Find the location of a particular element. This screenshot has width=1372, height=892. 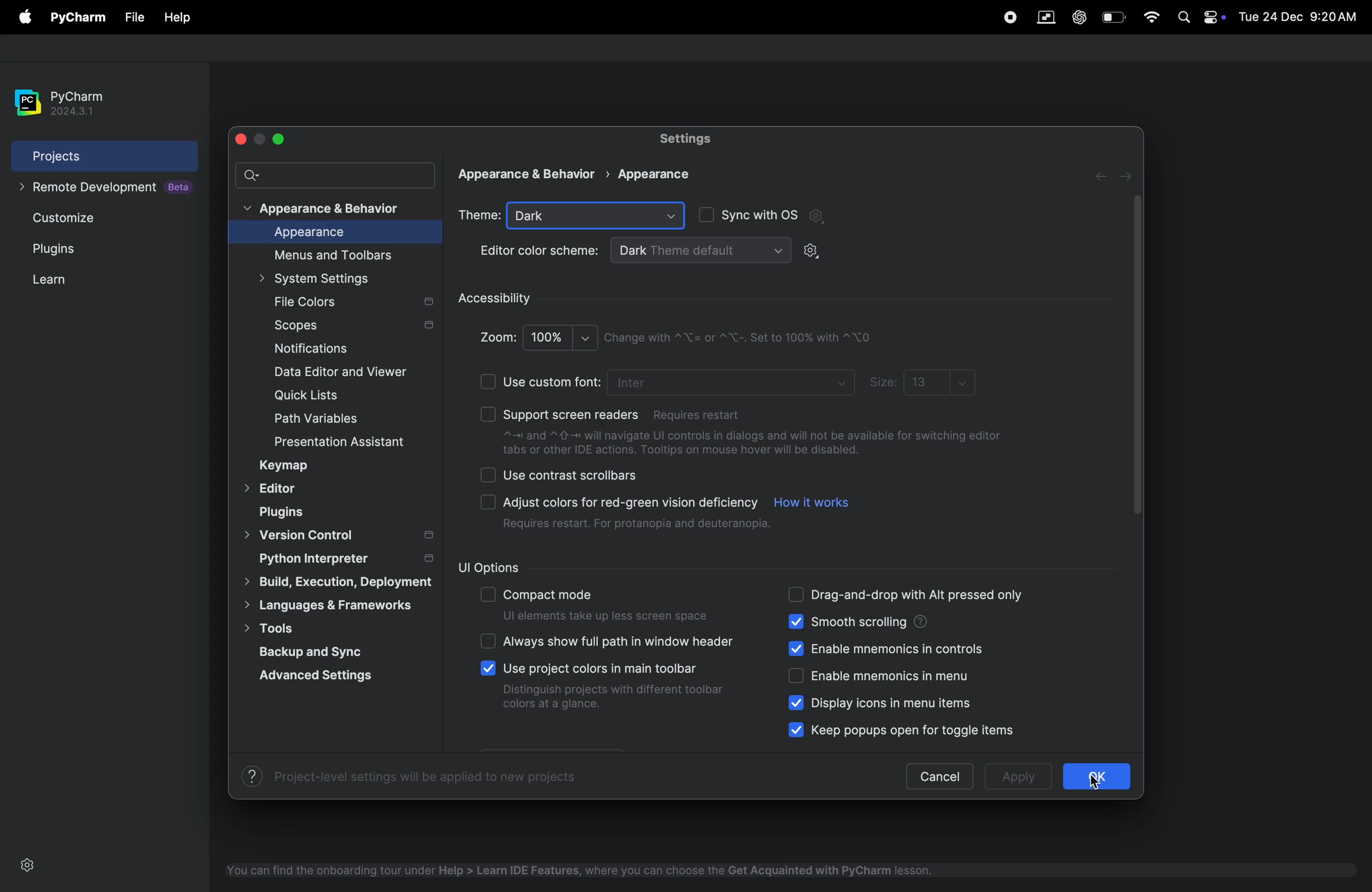

presenatation assistant is located at coordinates (357, 444).